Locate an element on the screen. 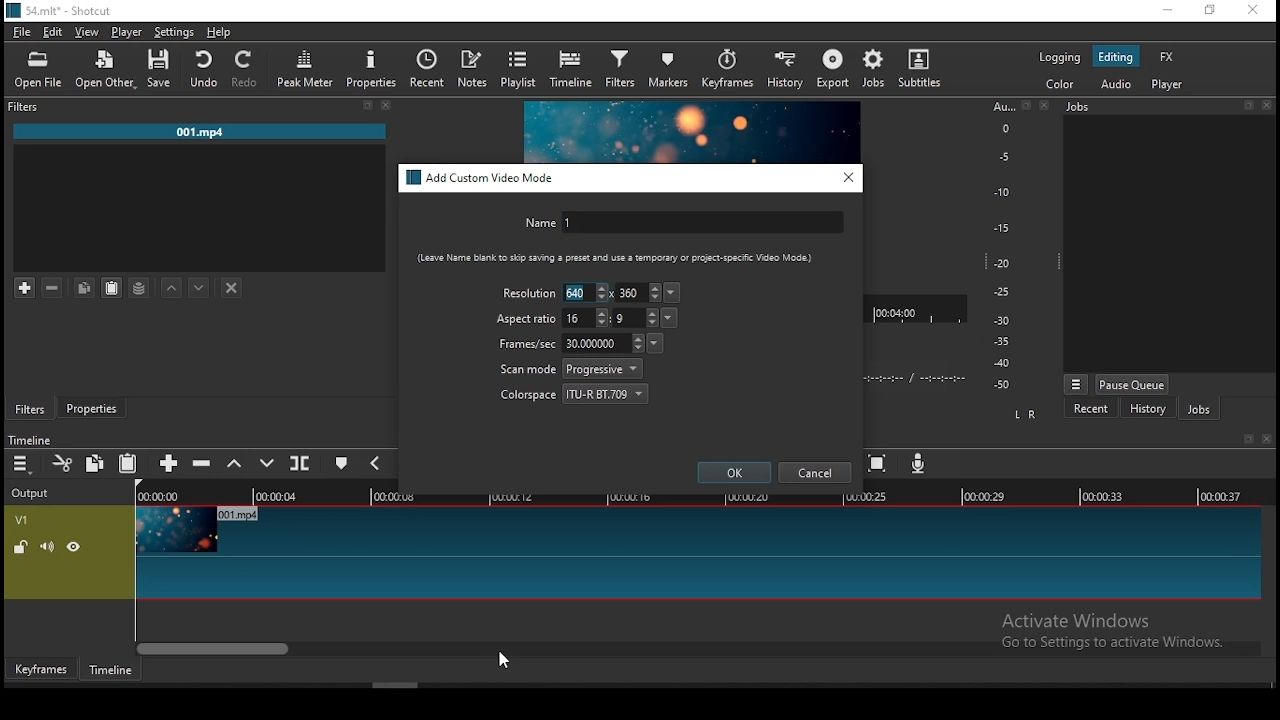  -20 is located at coordinates (1002, 263).